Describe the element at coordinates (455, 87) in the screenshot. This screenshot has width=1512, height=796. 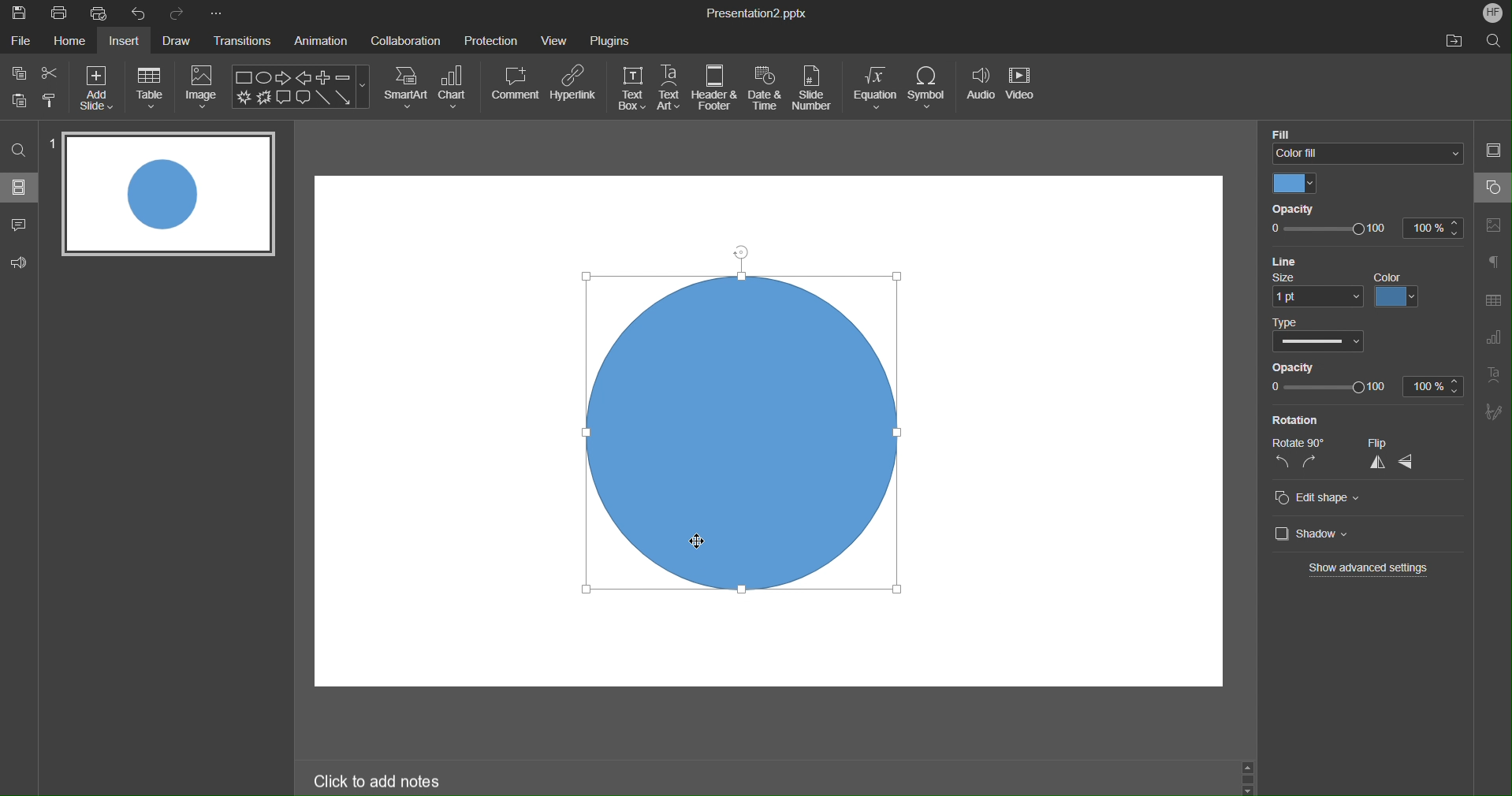
I see `Chart` at that location.